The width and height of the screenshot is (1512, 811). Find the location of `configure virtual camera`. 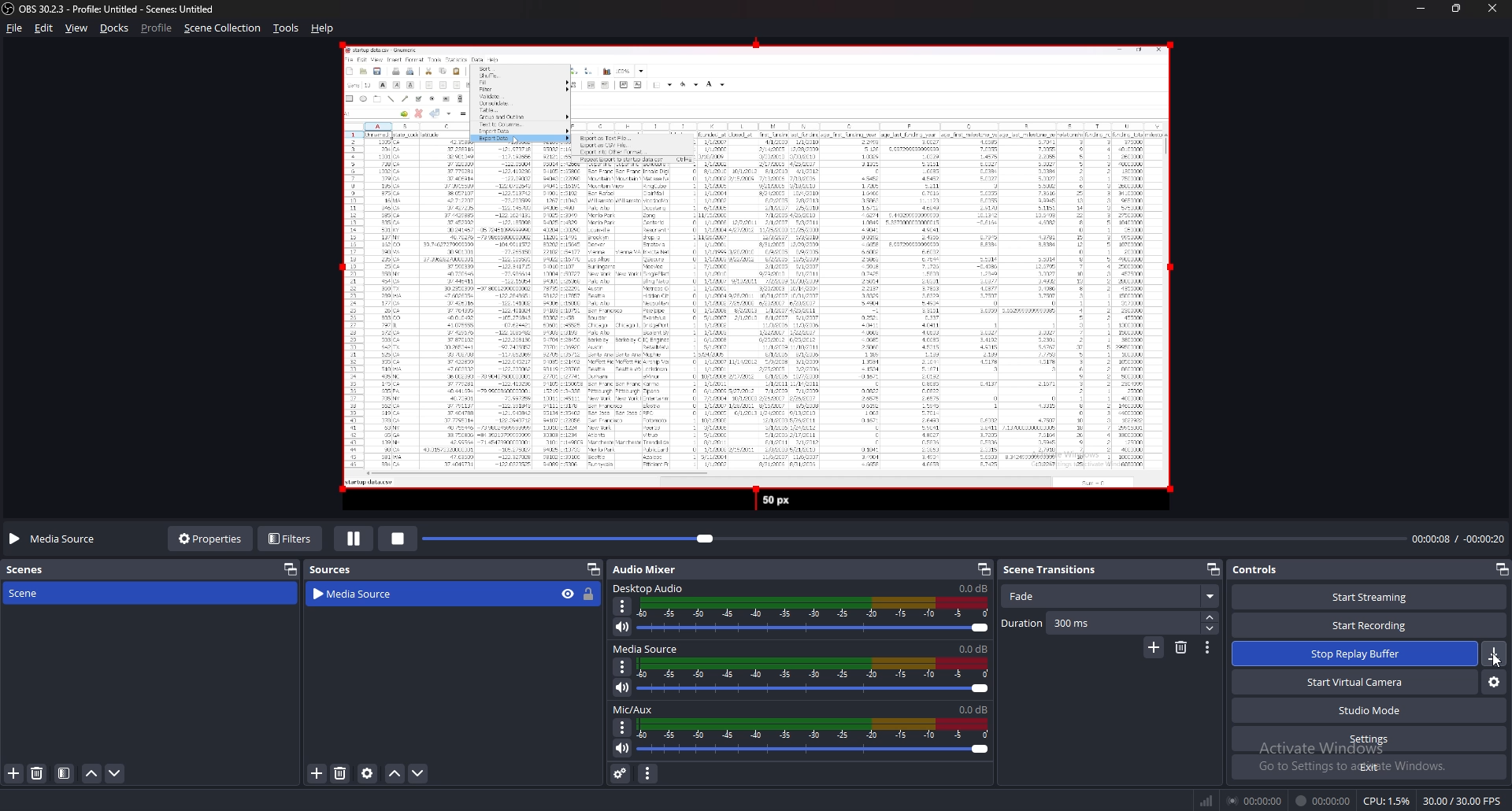

configure virtual camera is located at coordinates (1493, 682).